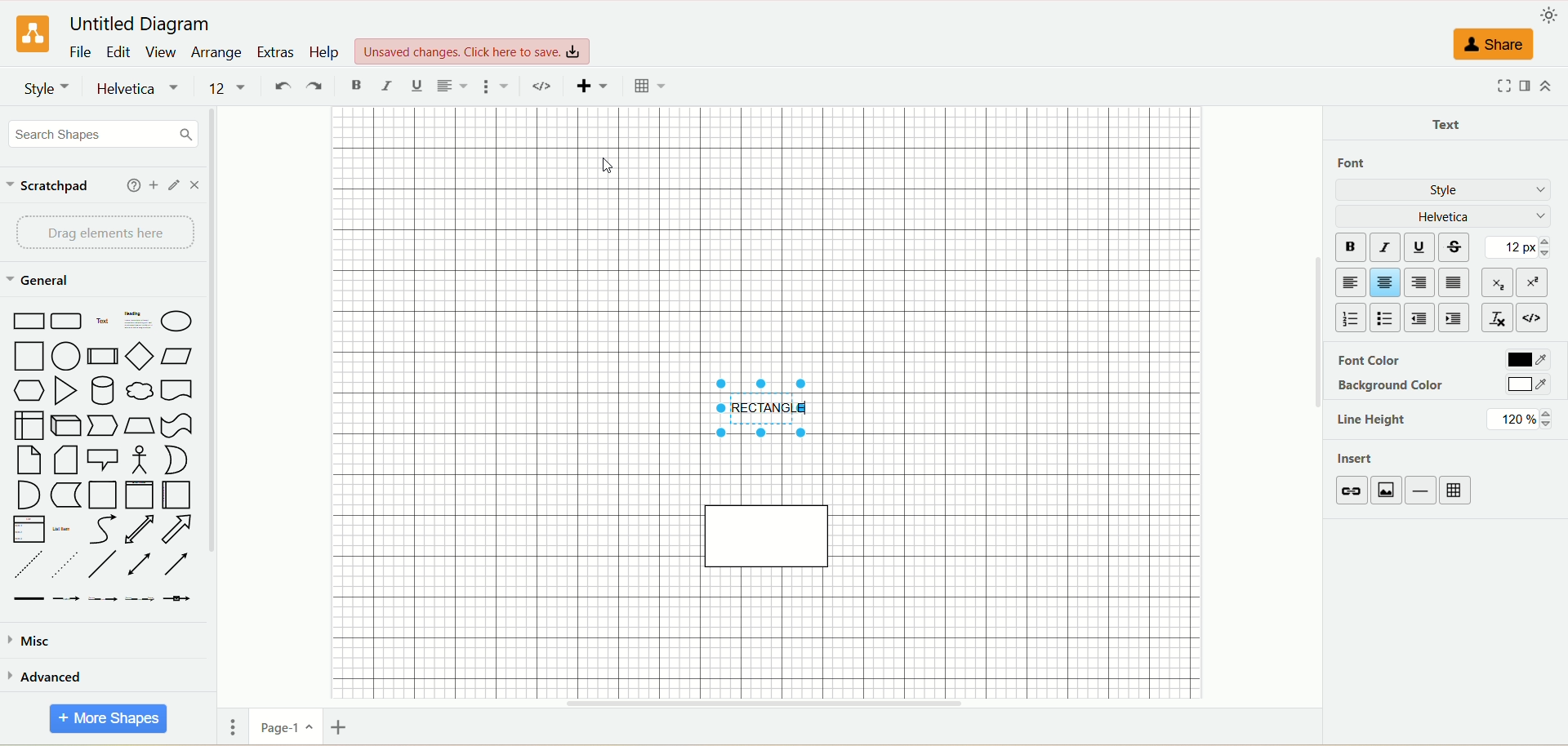  What do you see at coordinates (1457, 490) in the screenshot?
I see `table` at bounding box center [1457, 490].